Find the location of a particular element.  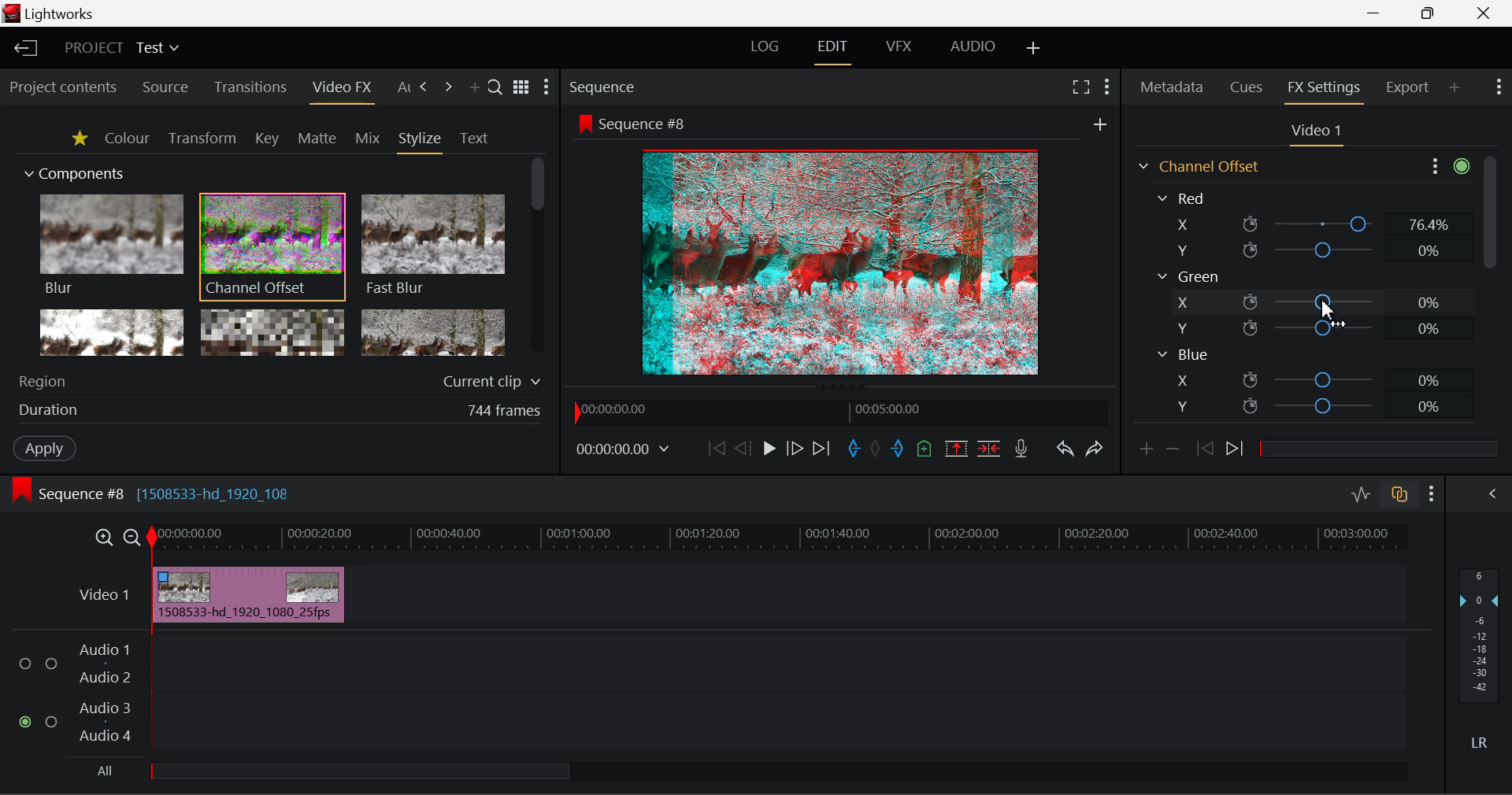

Apply is located at coordinates (46, 449).